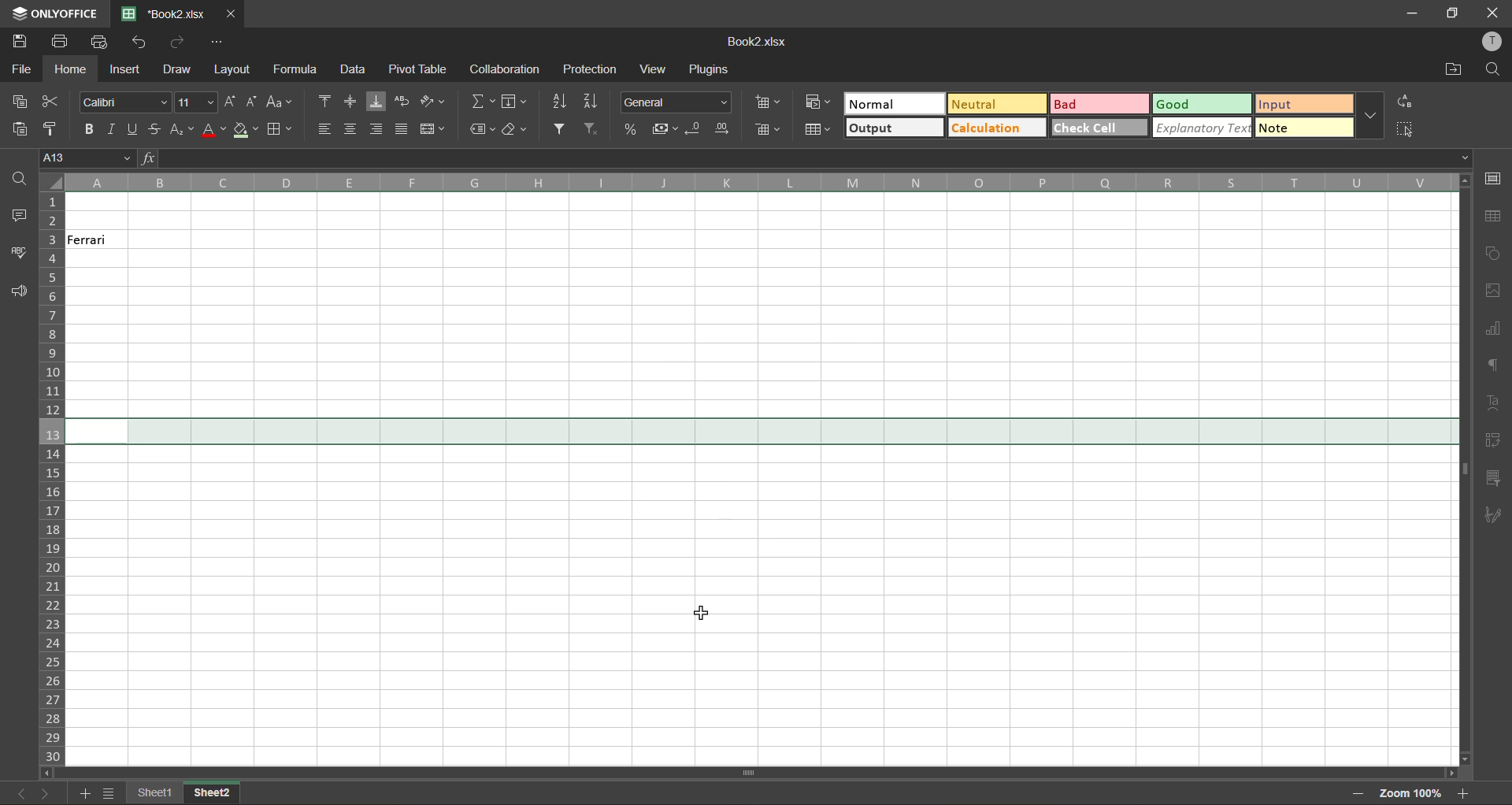 The image size is (1512, 805). What do you see at coordinates (1302, 126) in the screenshot?
I see `note` at bounding box center [1302, 126].